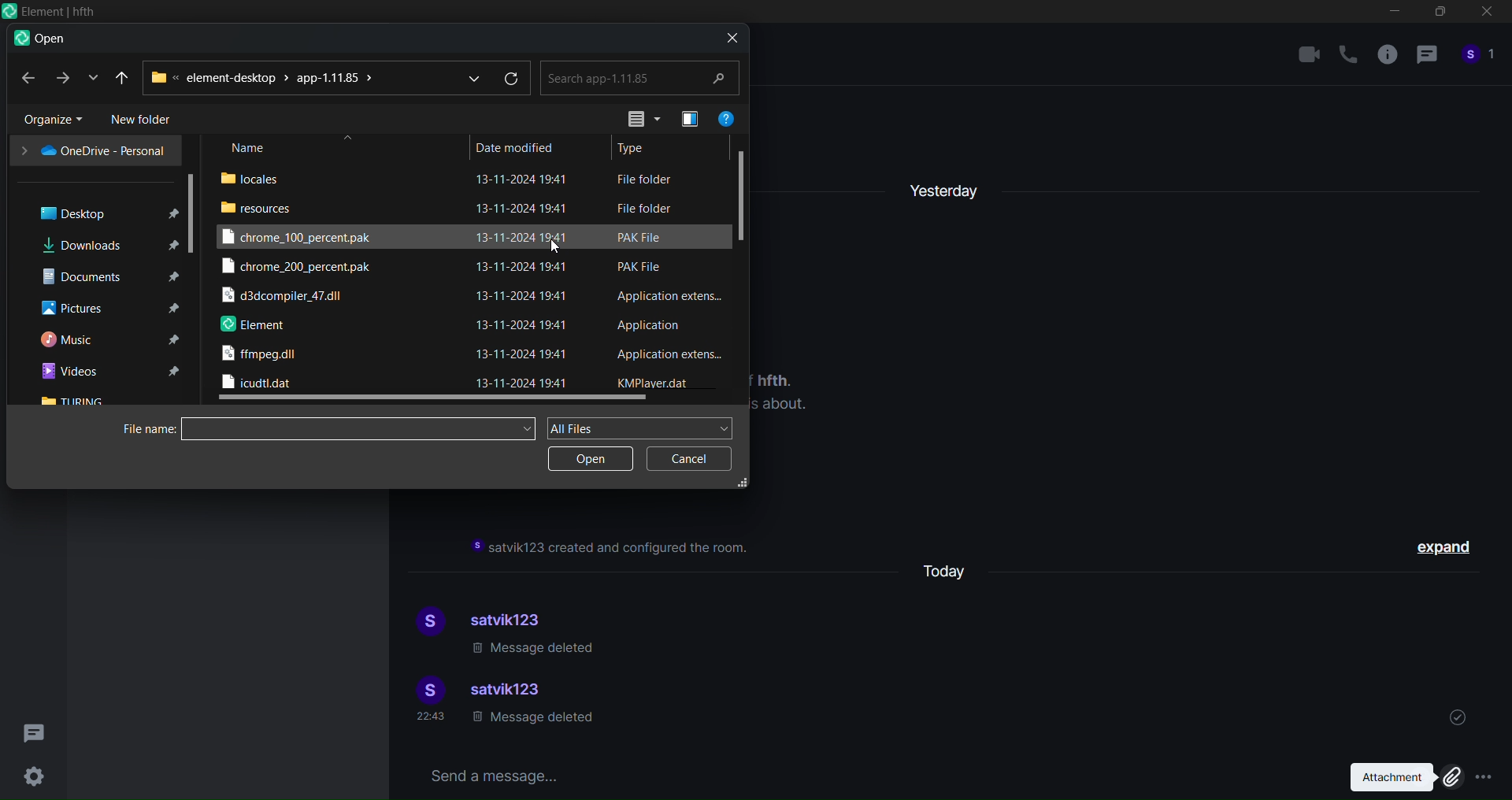 This screenshot has width=1512, height=800. I want to click on minimize, so click(1395, 14).